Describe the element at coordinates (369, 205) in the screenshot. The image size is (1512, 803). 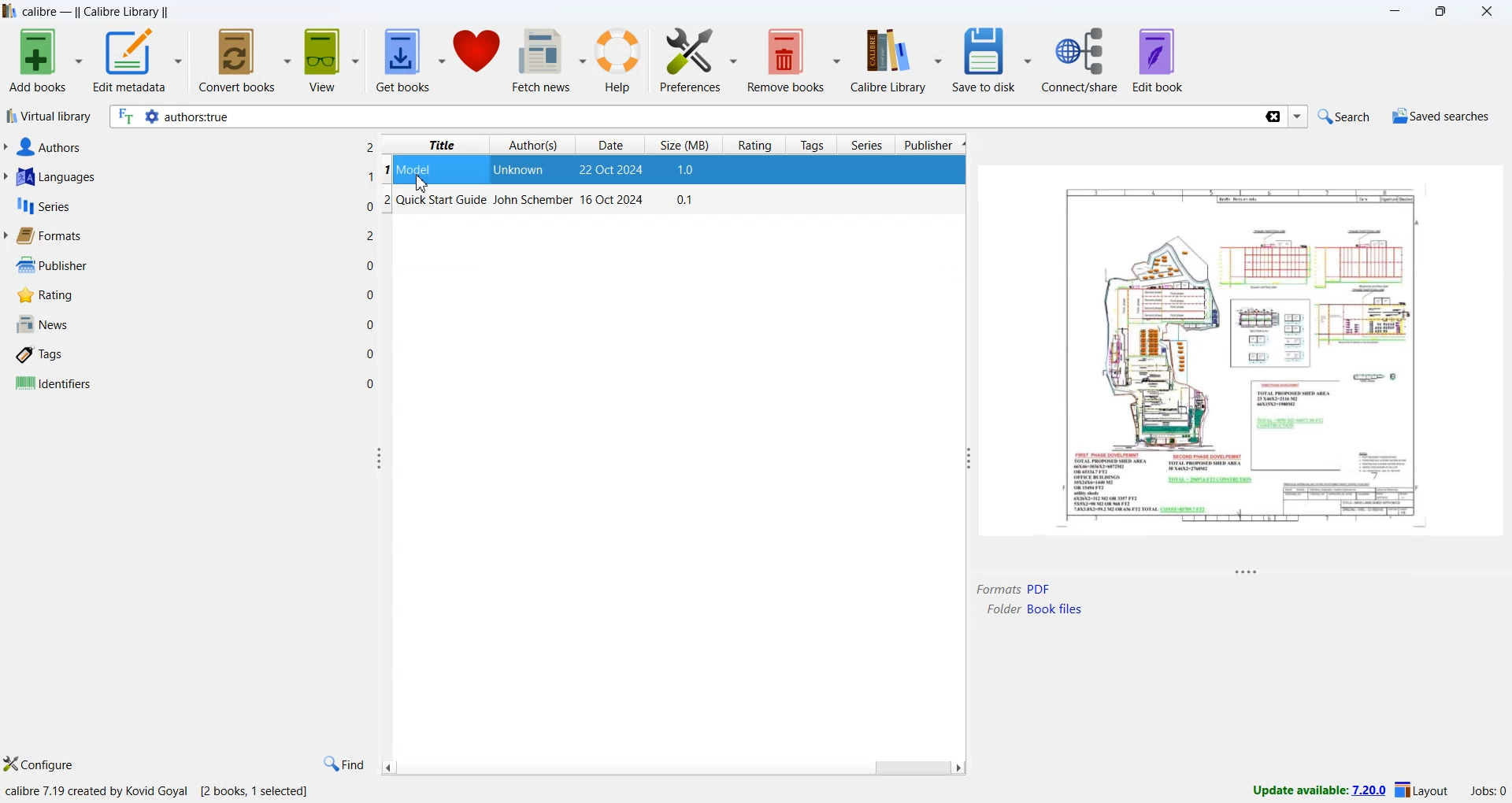
I see `0` at that location.